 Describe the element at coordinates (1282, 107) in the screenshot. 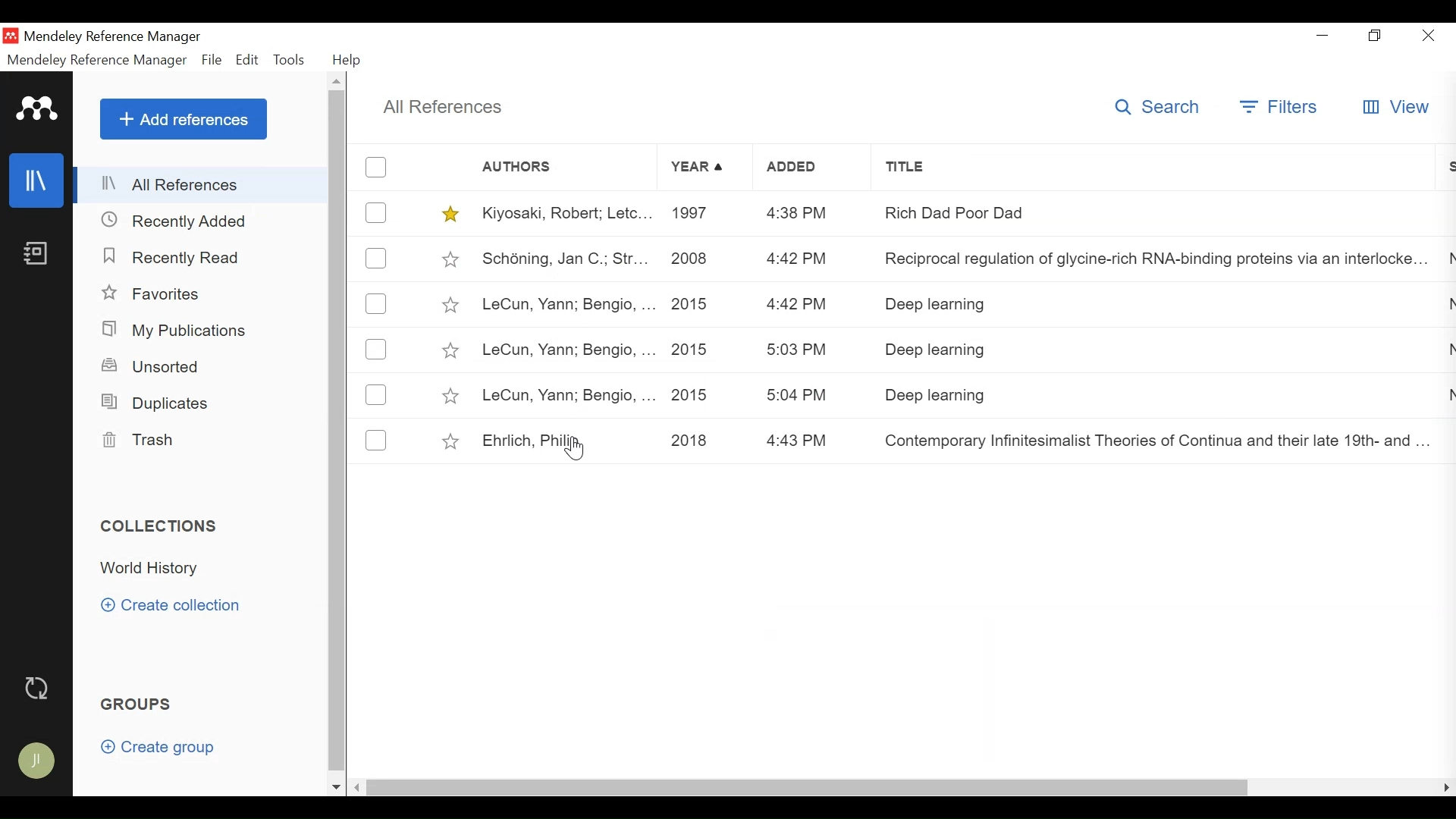

I see `Filter` at that location.